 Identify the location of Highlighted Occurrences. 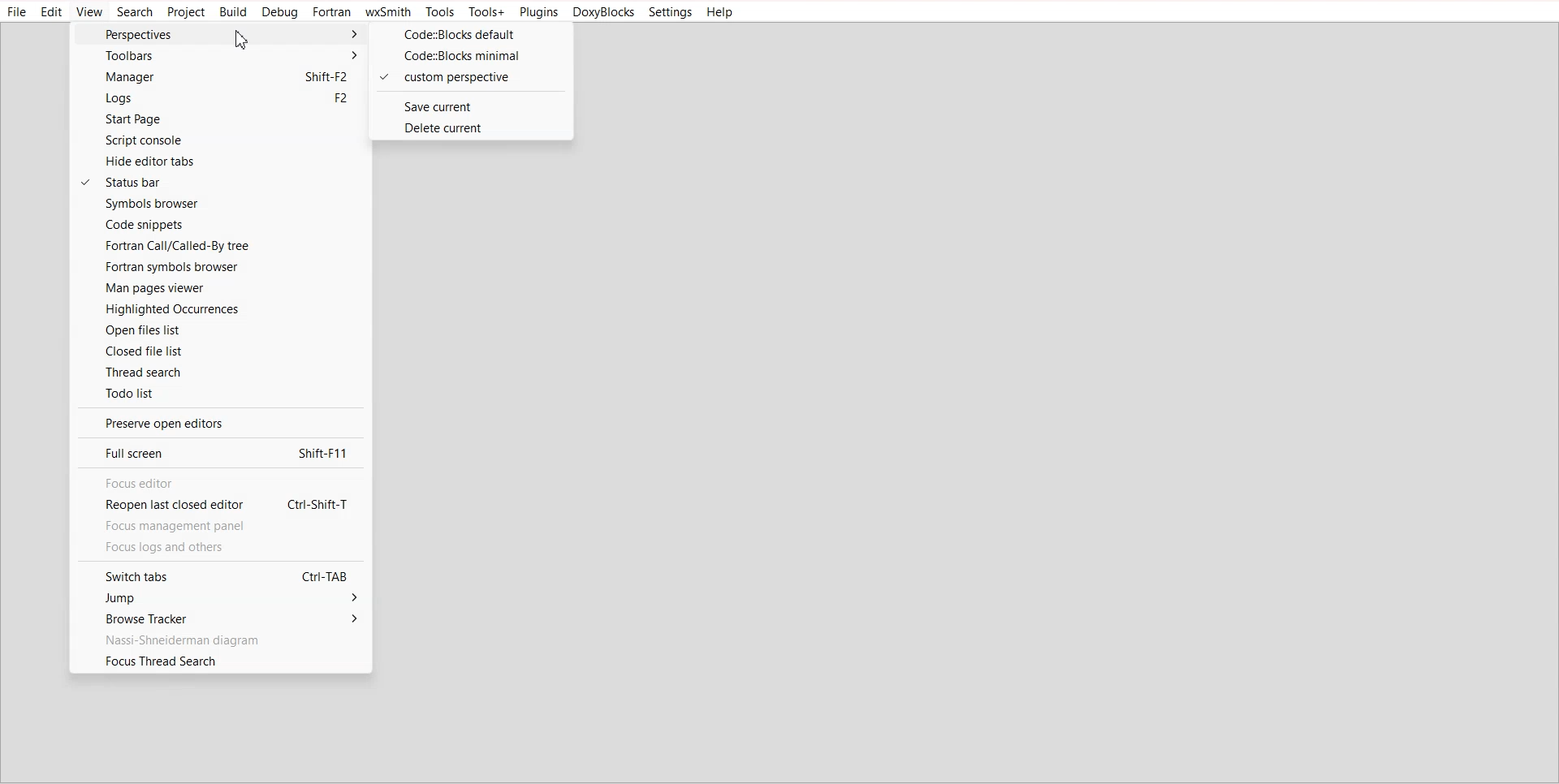
(219, 308).